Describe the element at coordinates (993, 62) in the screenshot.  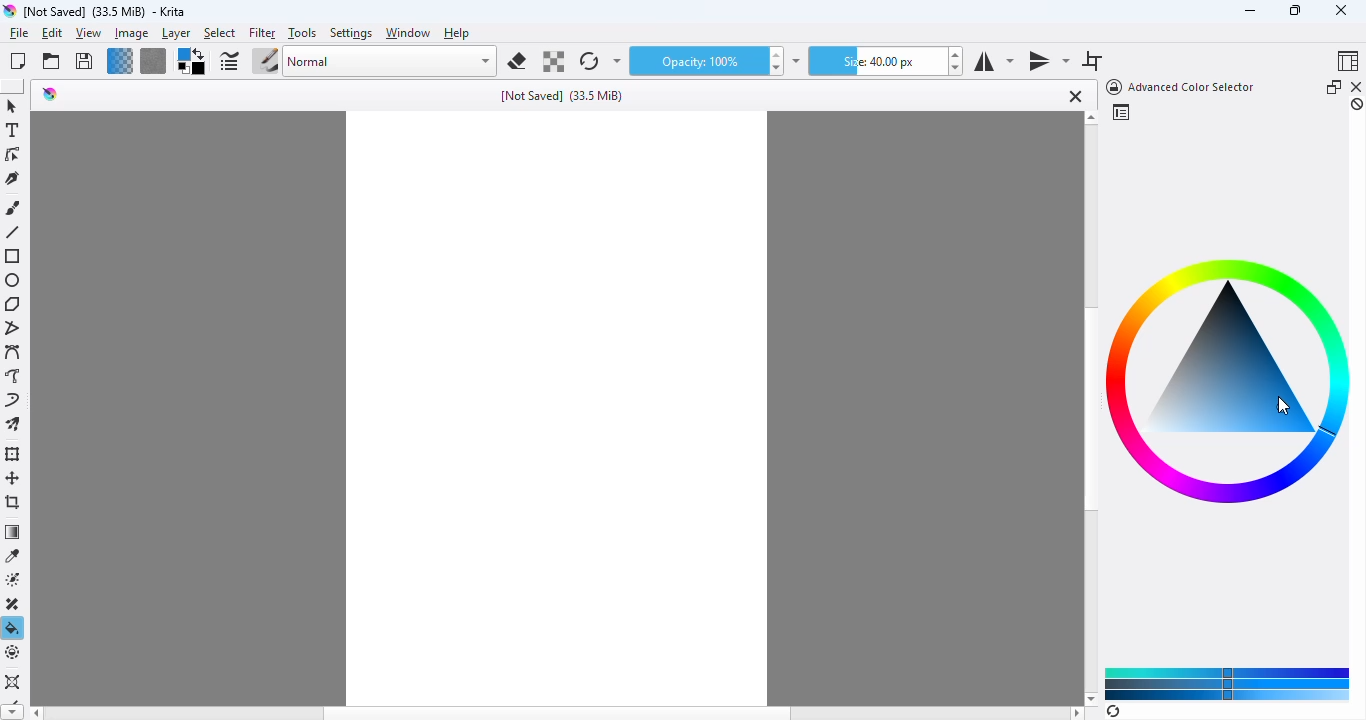
I see `horizontal mirror tool` at that location.